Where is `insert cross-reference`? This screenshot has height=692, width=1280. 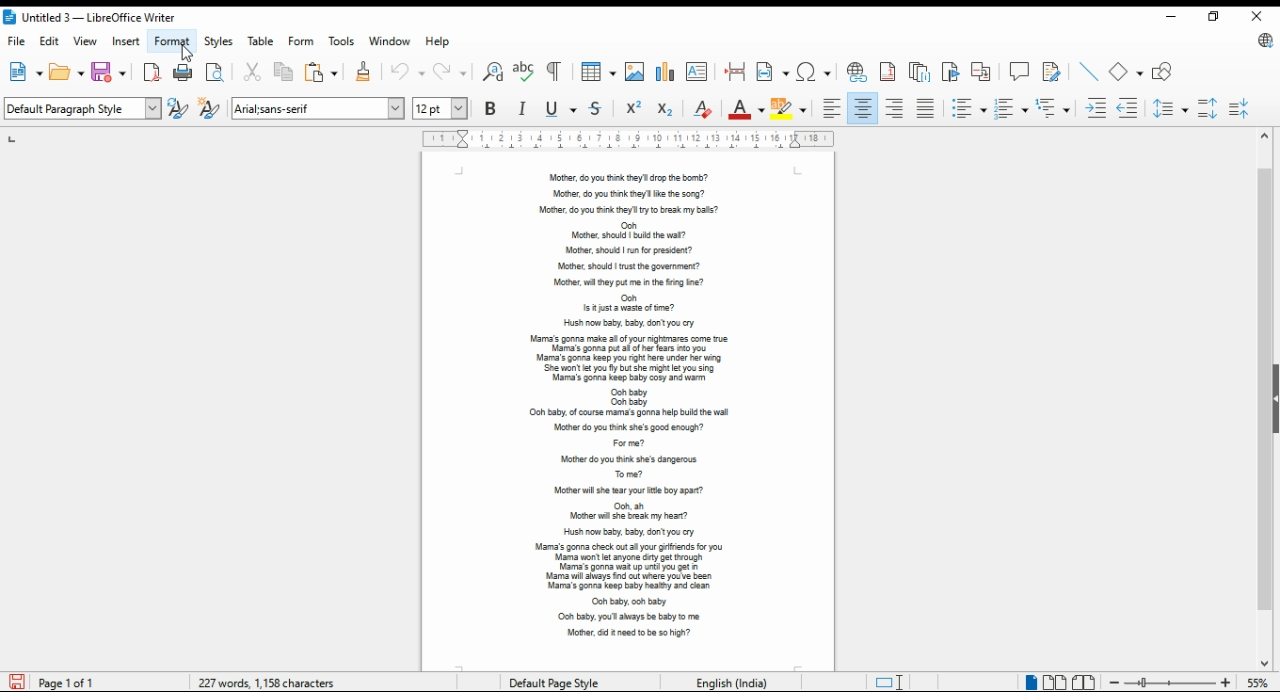 insert cross-reference is located at coordinates (981, 72).